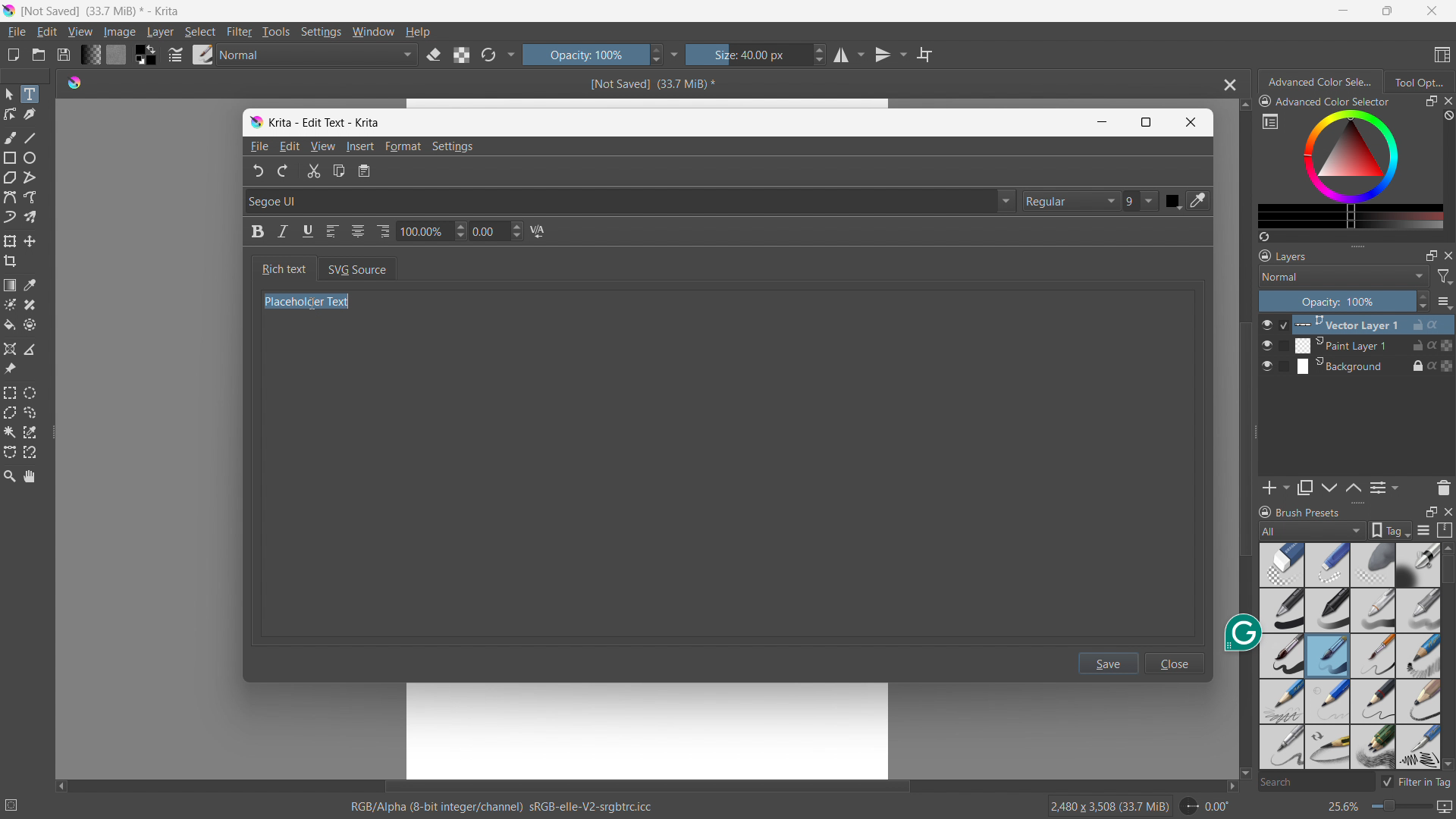 The width and height of the screenshot is (1456, 819). Describe the element at coordinates (10, 349) in the screenshot. I see `assistant tool` at that location.